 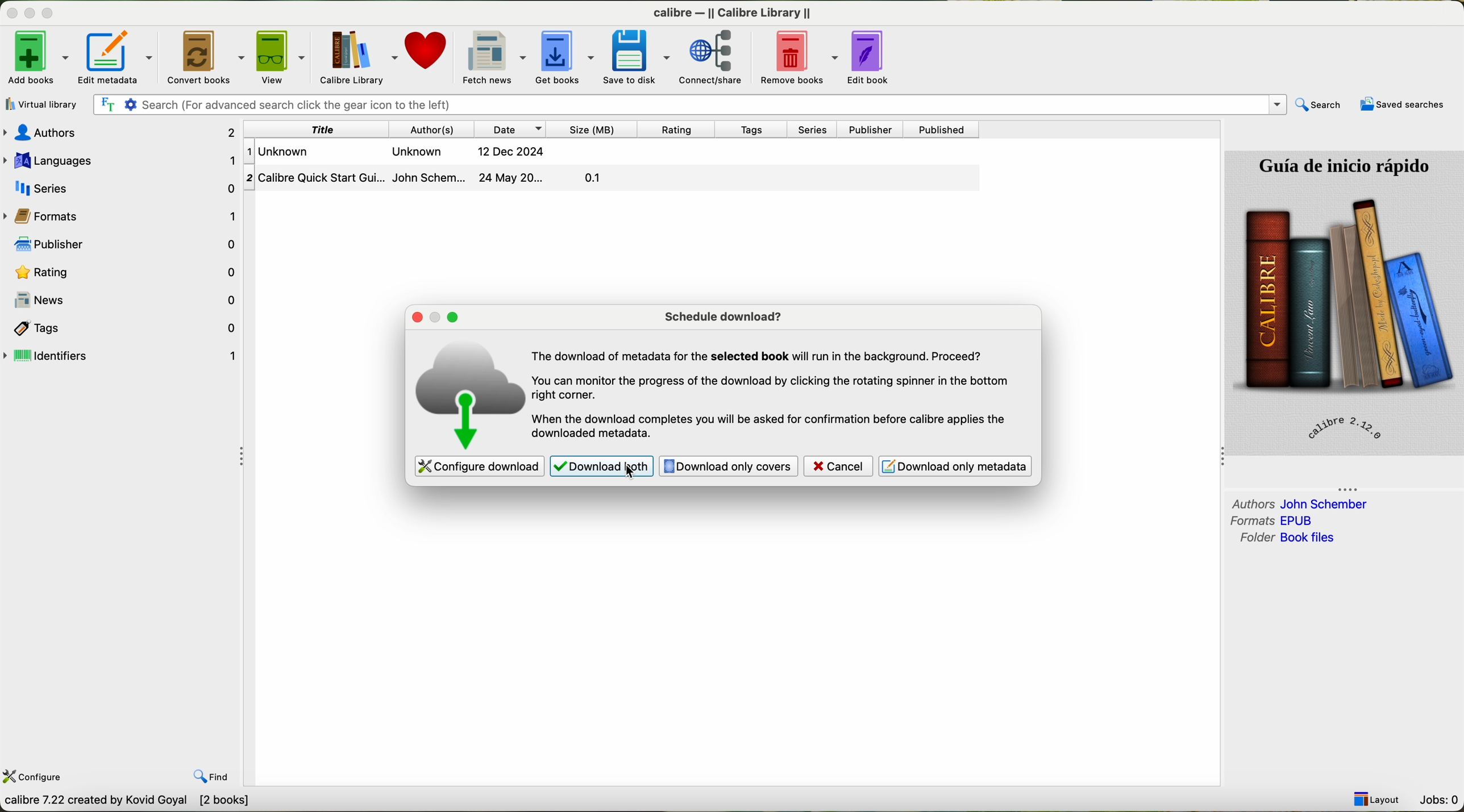 What do you see at coordinates (207, 57) in the screenshot?
I see `convert books` at bounding box center [207, 57].